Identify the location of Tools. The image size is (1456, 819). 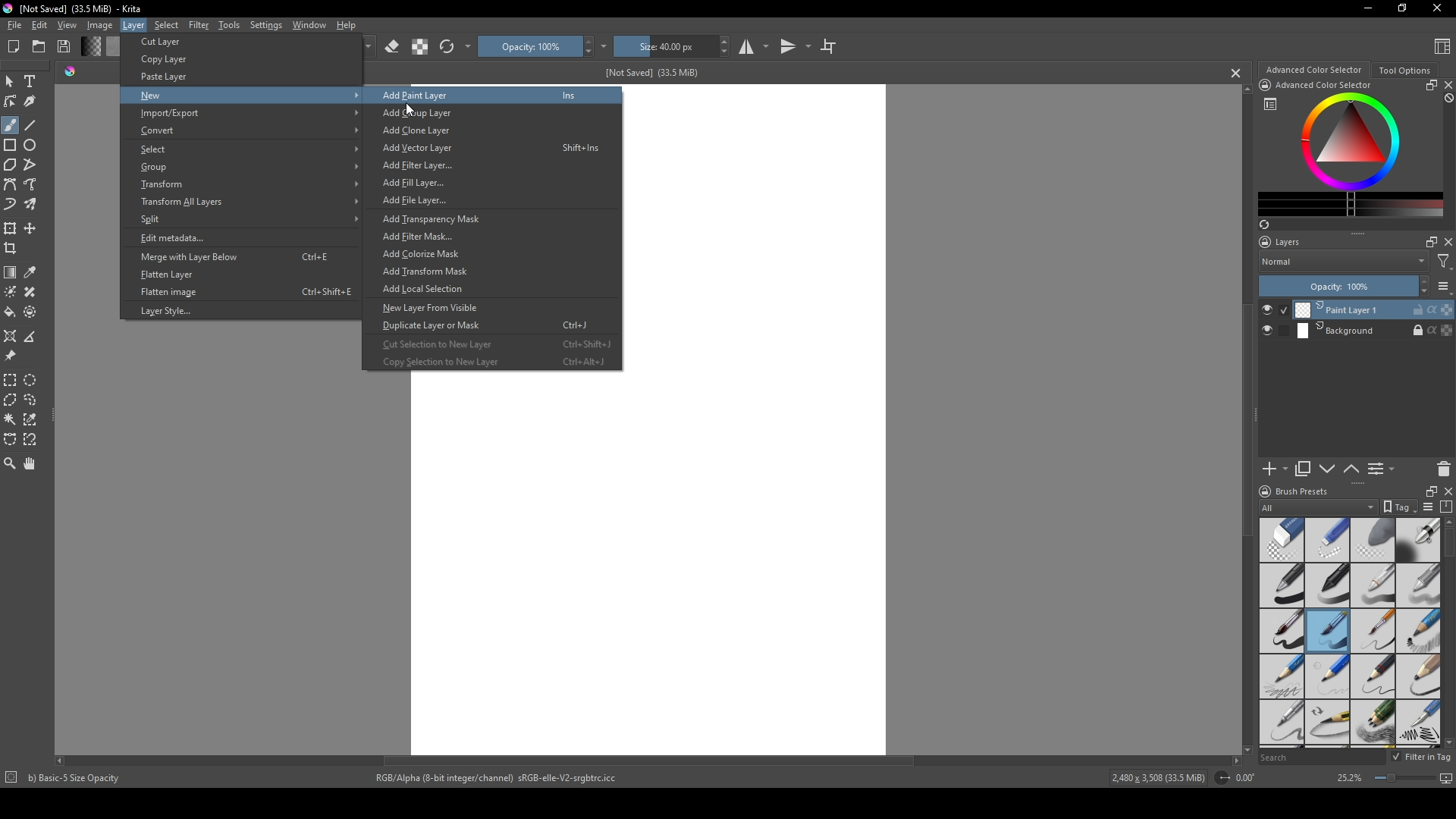
(229, 24).